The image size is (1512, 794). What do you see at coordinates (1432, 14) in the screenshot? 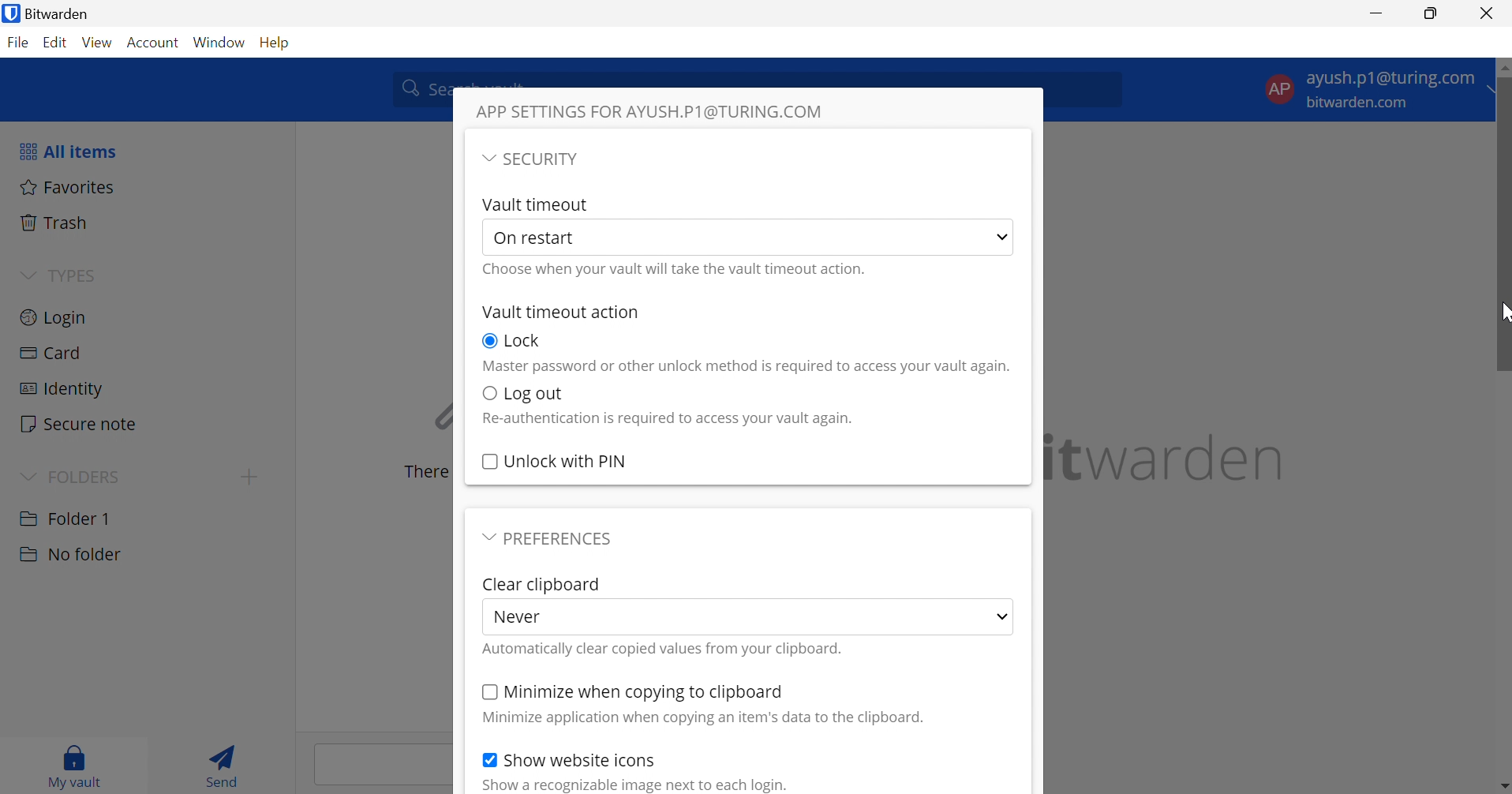
I see `Restore` at bounding box center [1432, 14].